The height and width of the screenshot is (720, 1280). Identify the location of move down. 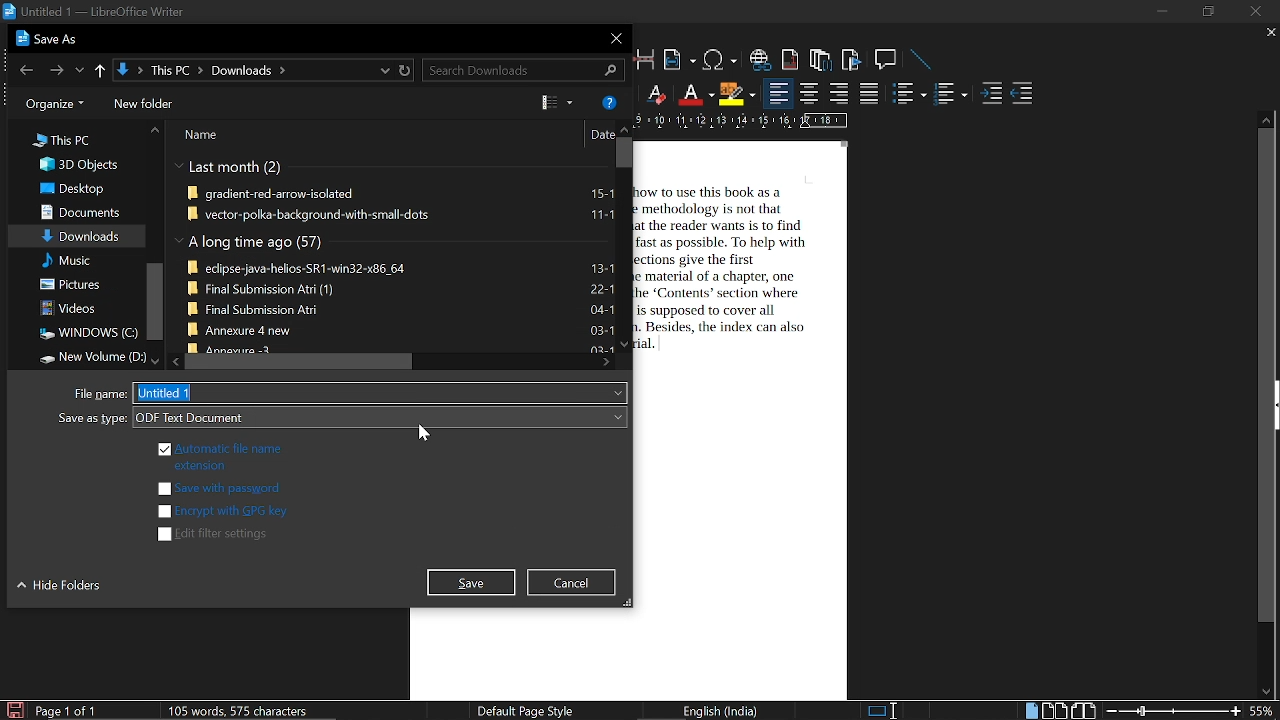
(625, 343).